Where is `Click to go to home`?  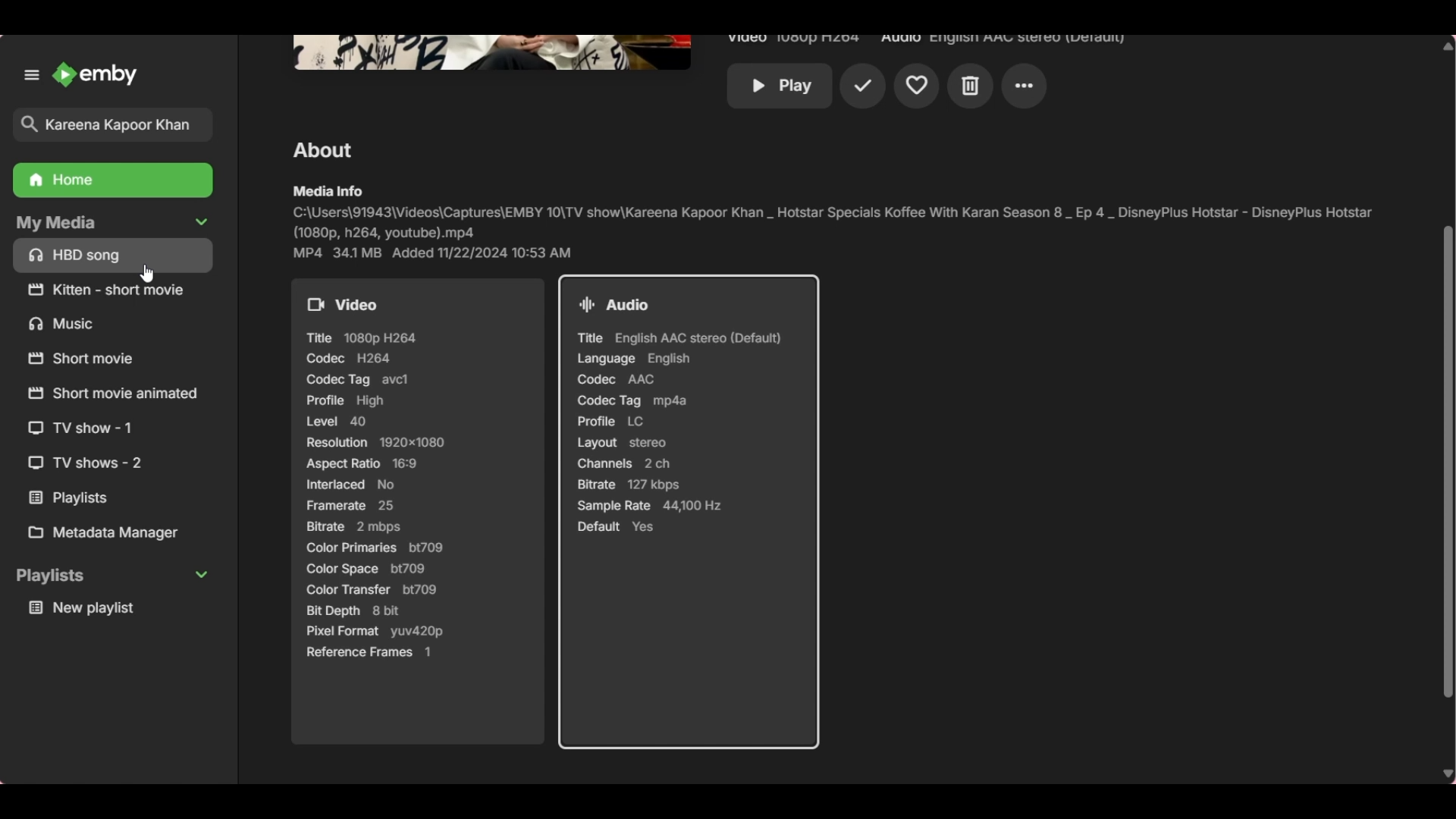 Click to go to home is located at coordinates (94, 74).